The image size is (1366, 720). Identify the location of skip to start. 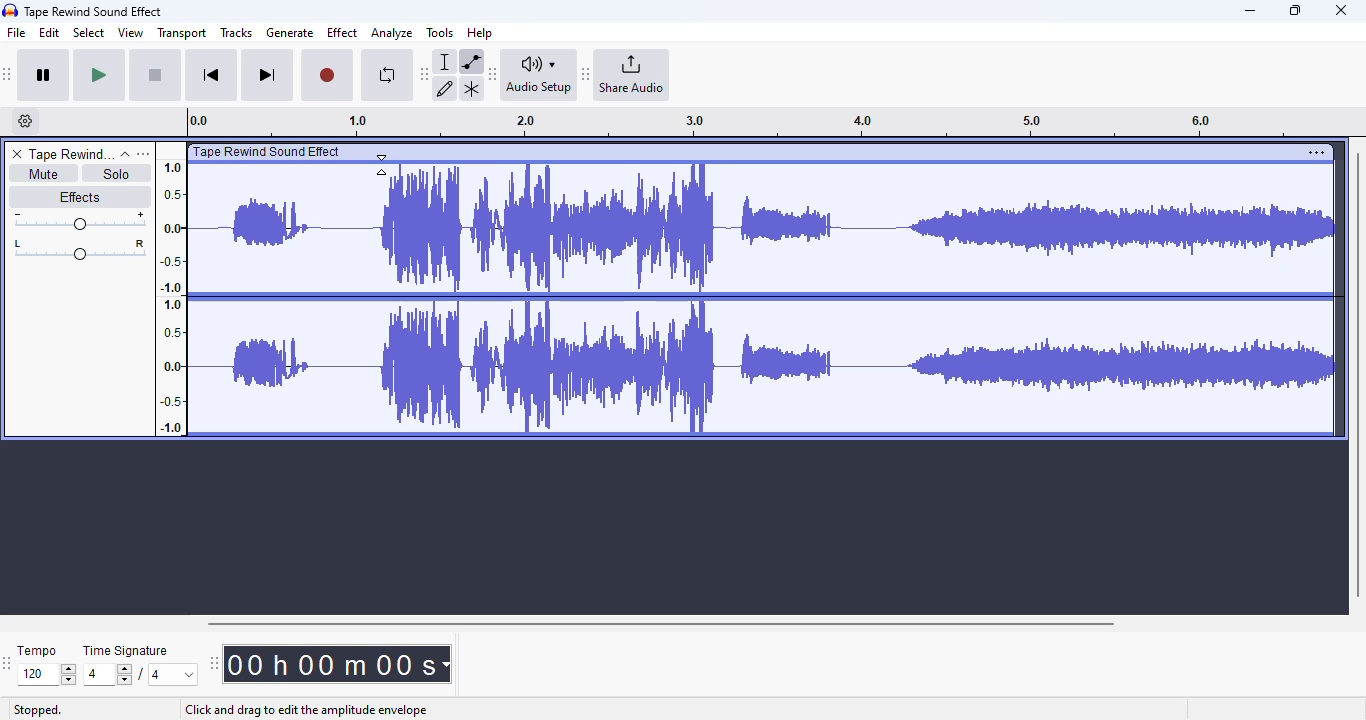
(210, 77).